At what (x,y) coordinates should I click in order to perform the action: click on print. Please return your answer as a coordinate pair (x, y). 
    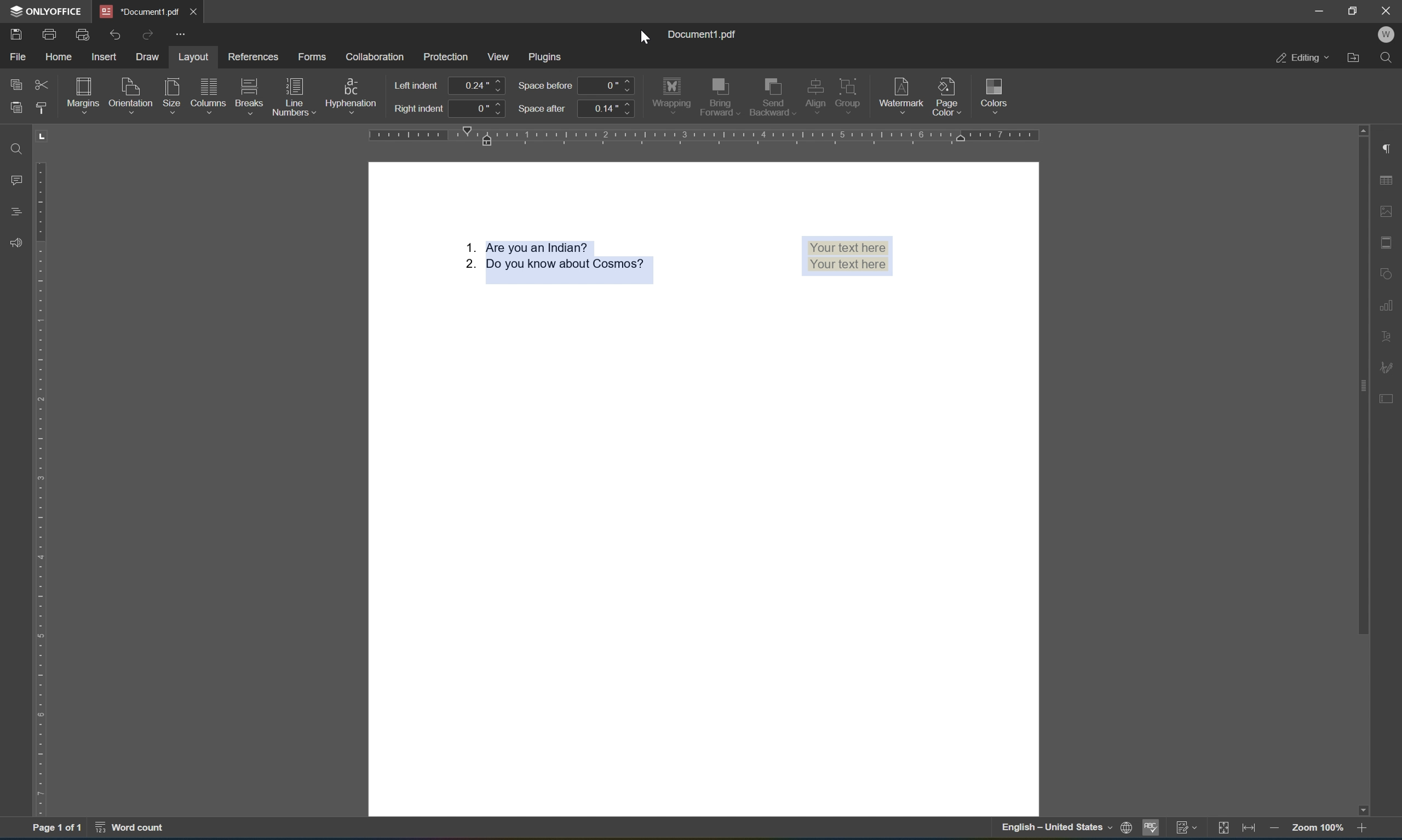
    Looking at the image, I should click on (49, 34).